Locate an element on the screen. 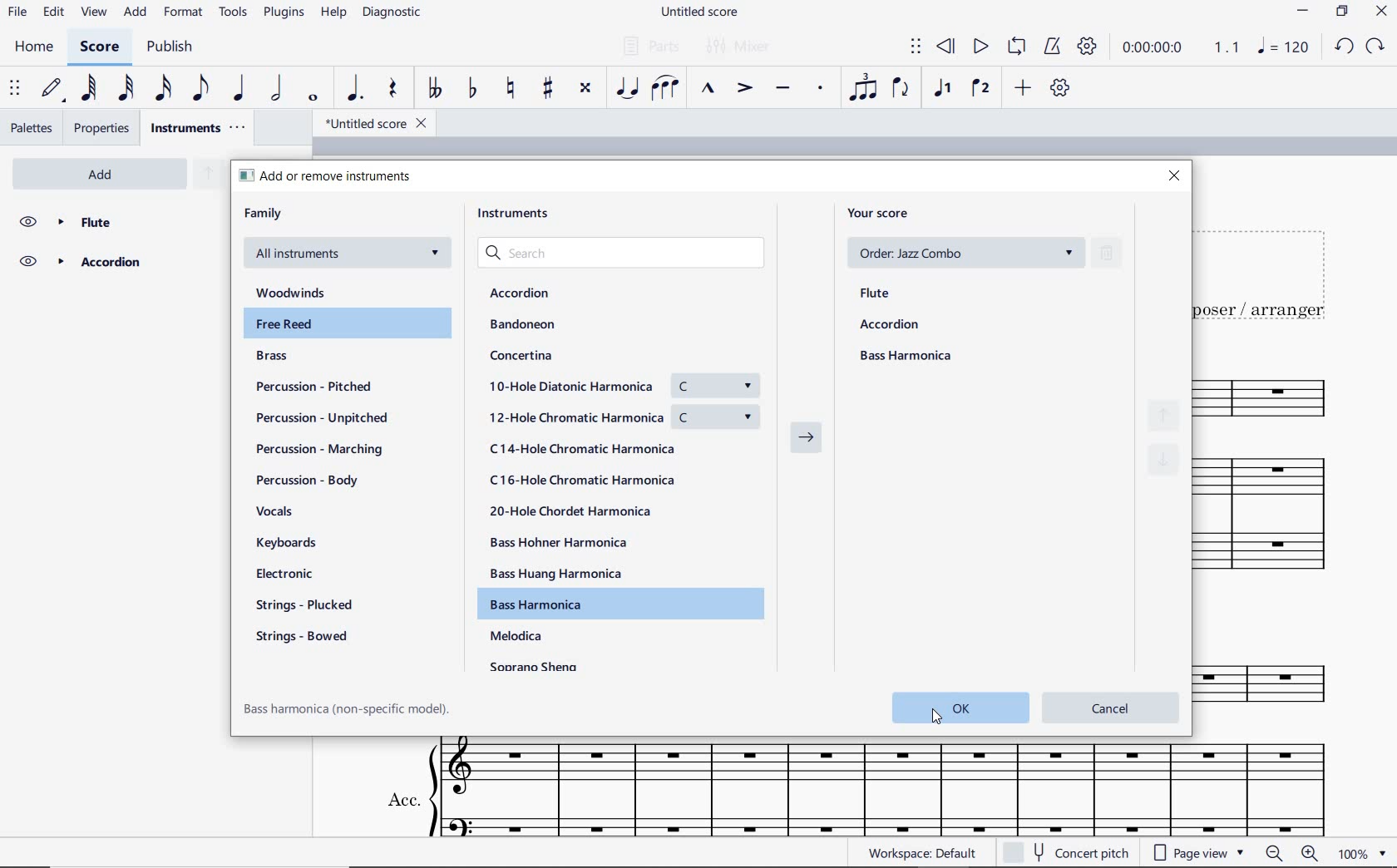 Image resolution: width=1397 pixels, height=868 pixels. properties is located at coordinates (104, 128).